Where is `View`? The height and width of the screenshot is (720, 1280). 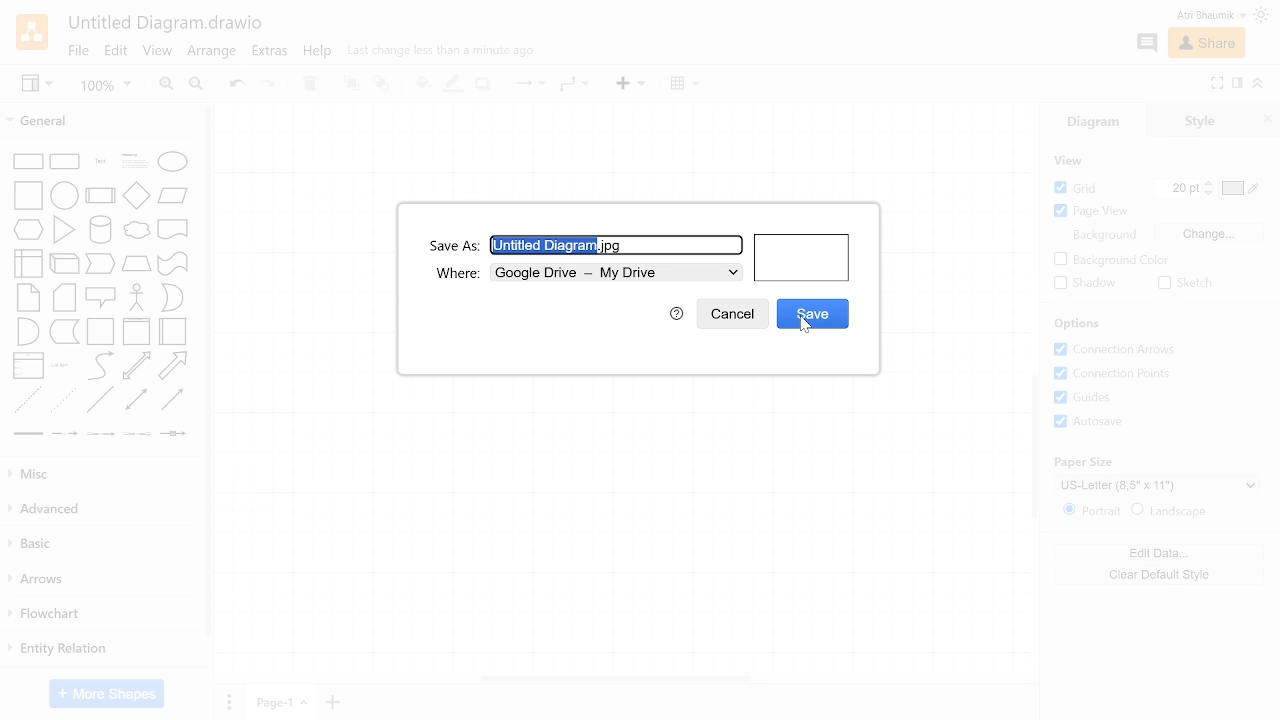 View is located at coordinates (38, 86).